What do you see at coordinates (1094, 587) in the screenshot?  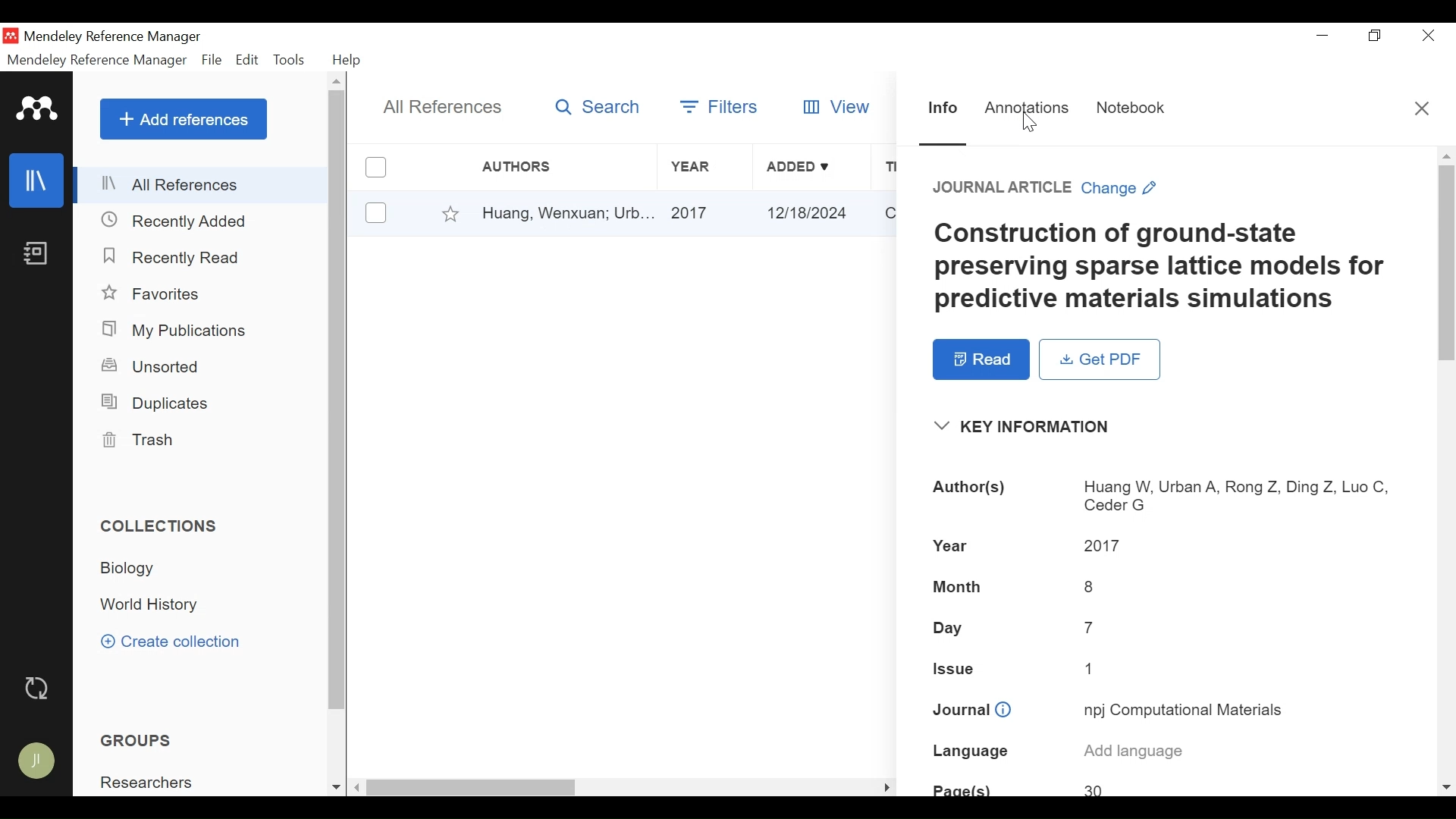 I see `8` at bounding box center [1094, 587].